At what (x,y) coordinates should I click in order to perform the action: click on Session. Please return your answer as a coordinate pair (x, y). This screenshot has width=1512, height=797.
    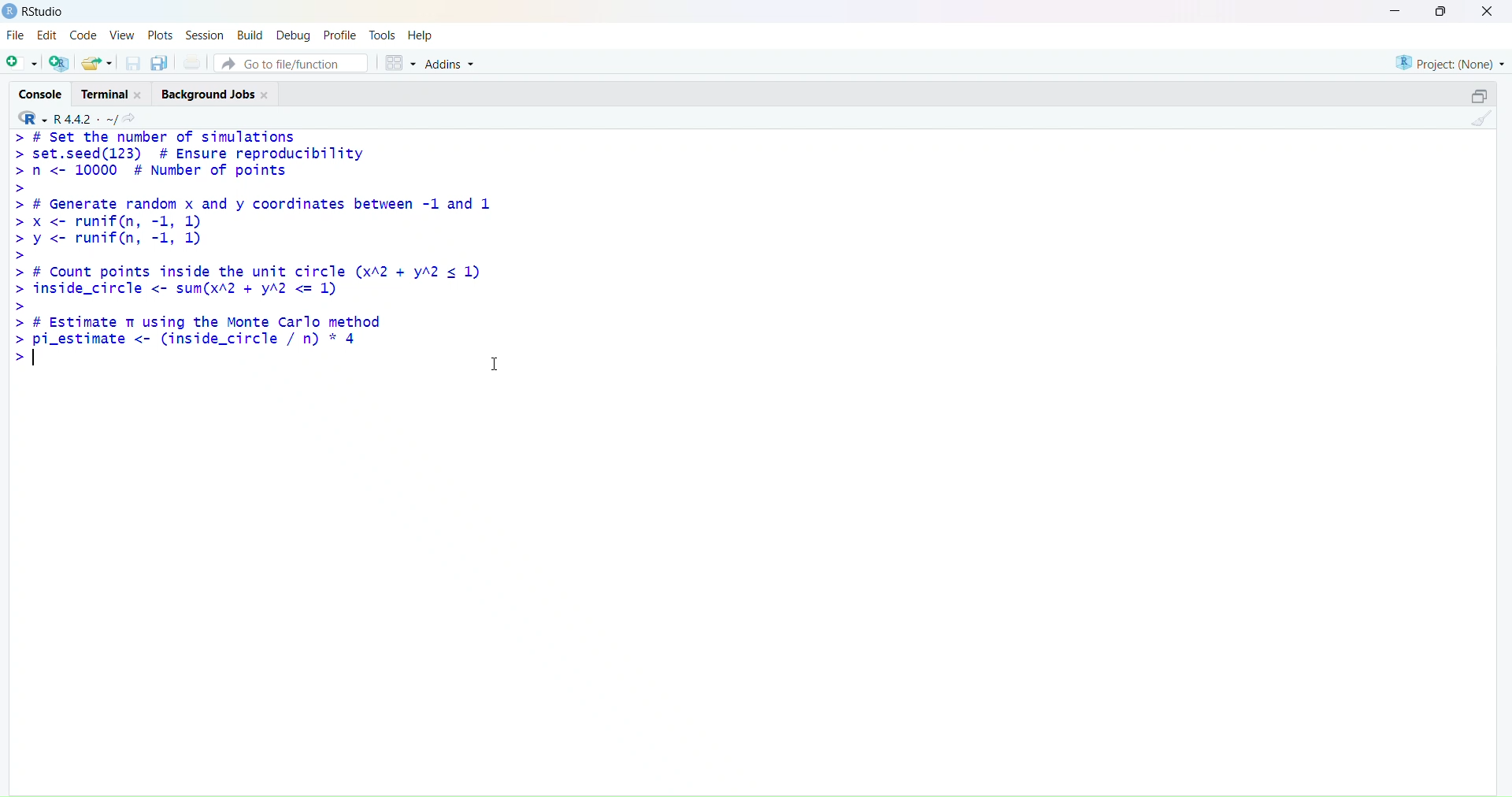
    Looking at the image, I should click on (203, 34).